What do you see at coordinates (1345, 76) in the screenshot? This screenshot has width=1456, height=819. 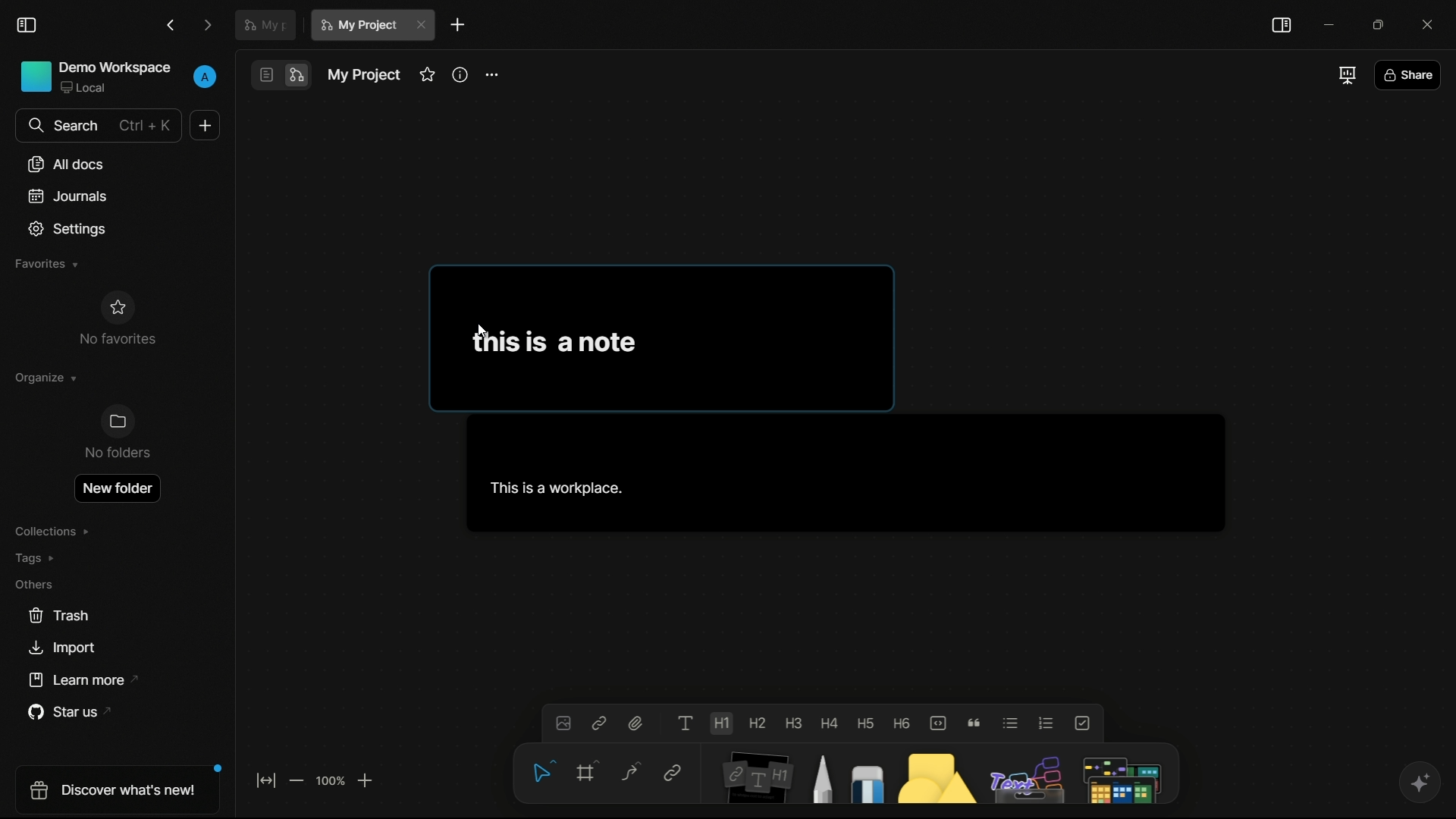 I see `full screen` at bounding box center [1345, 76].